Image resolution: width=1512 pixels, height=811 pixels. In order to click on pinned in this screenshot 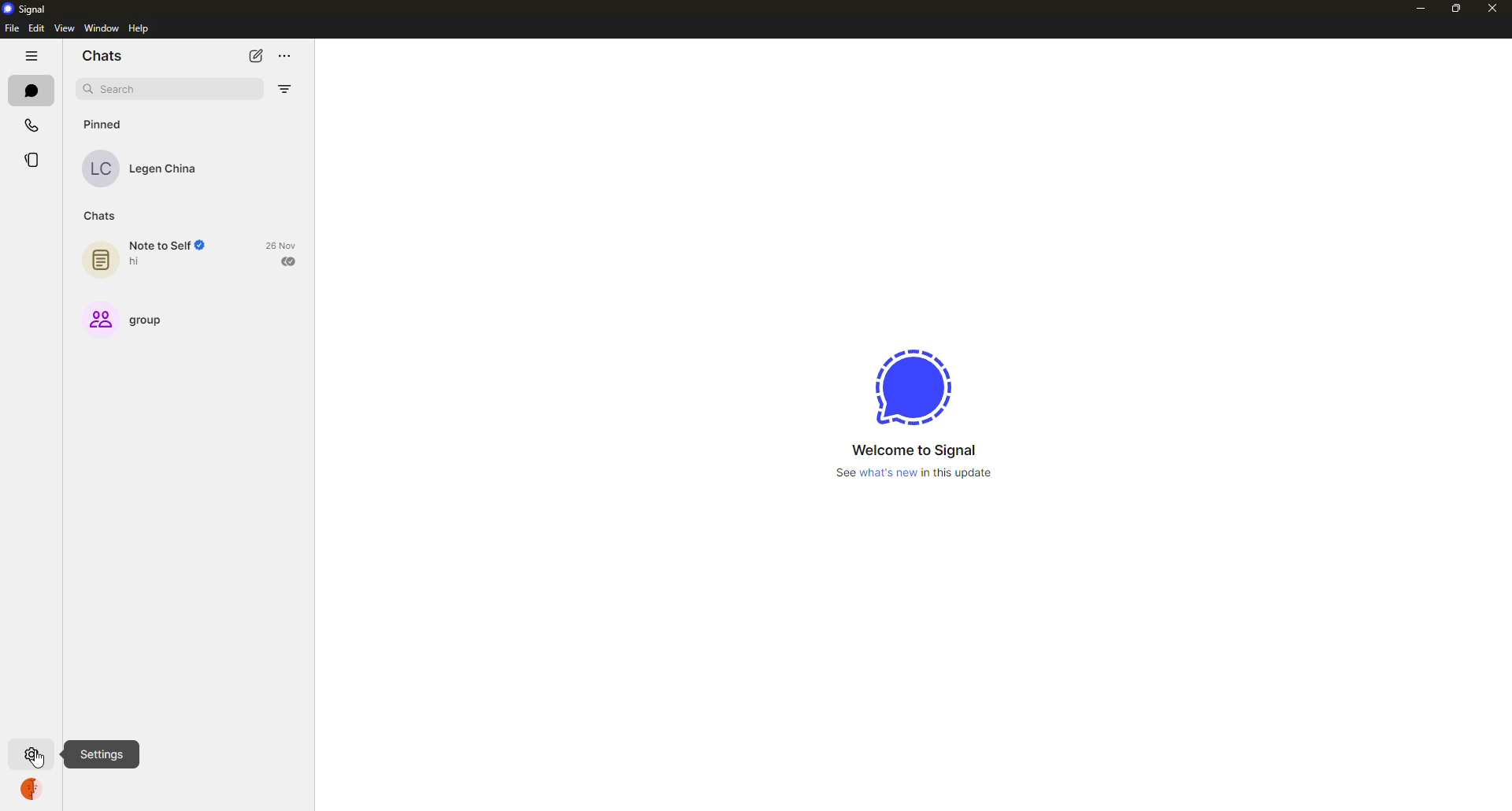, I will do `click(105, 124)`.